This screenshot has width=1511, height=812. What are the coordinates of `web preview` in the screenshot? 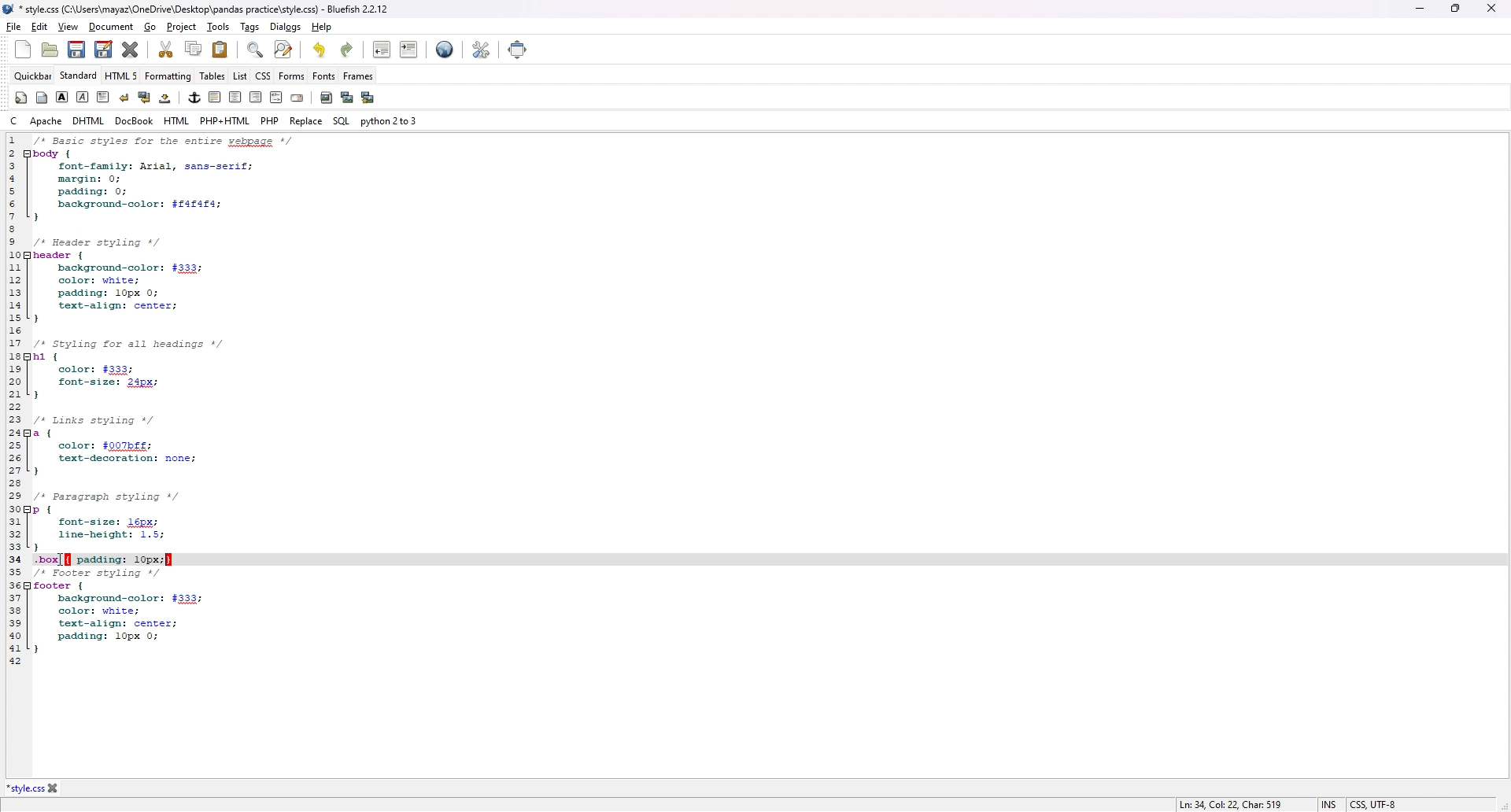 It's located at (445, 50).